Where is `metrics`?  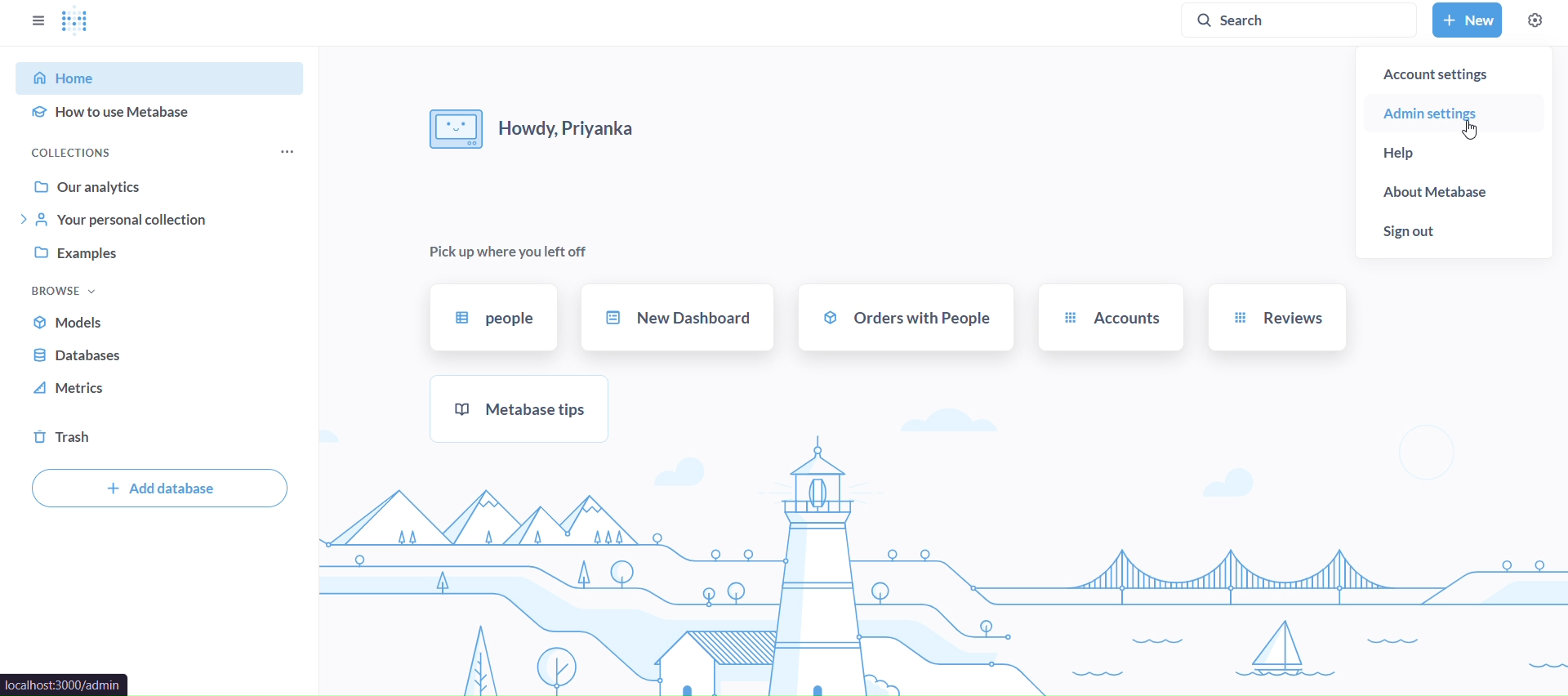 metrics is located at coordinates (160, 390).